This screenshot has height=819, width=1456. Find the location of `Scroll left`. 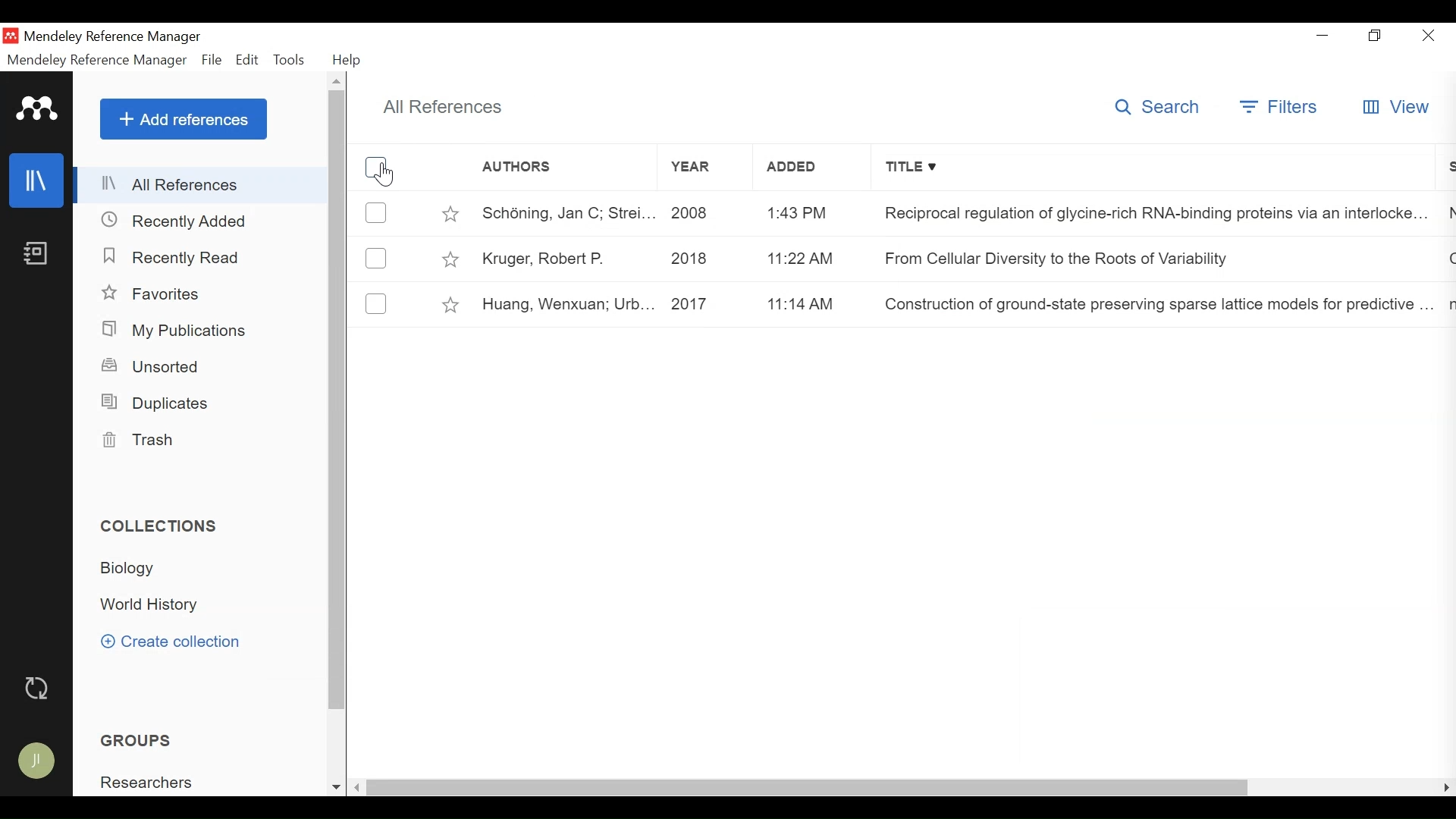

Scroll left is located at coordinates (381, 787).